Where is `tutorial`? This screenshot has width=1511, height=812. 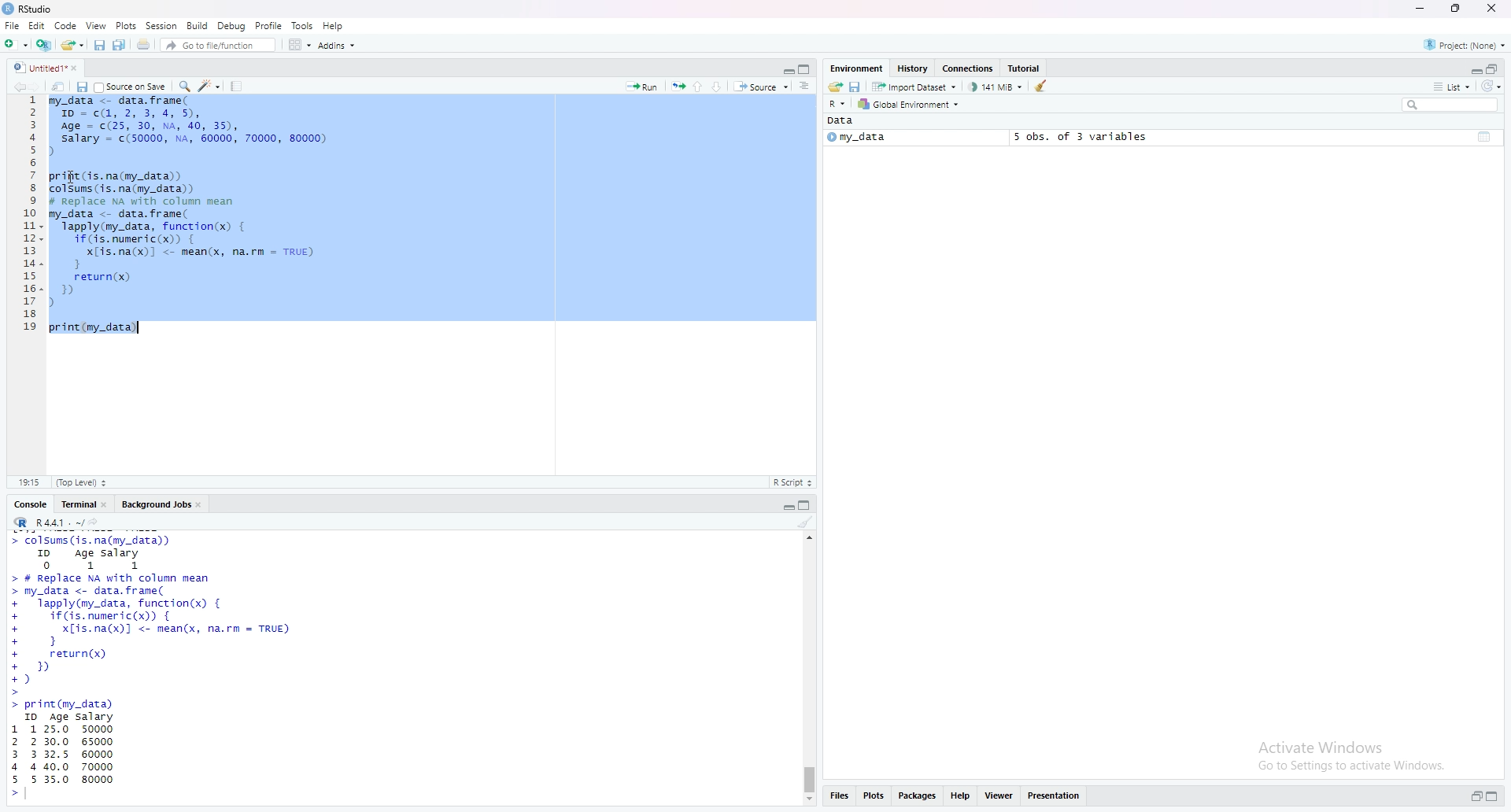
tutorial is located at coordinates (1025, 68).